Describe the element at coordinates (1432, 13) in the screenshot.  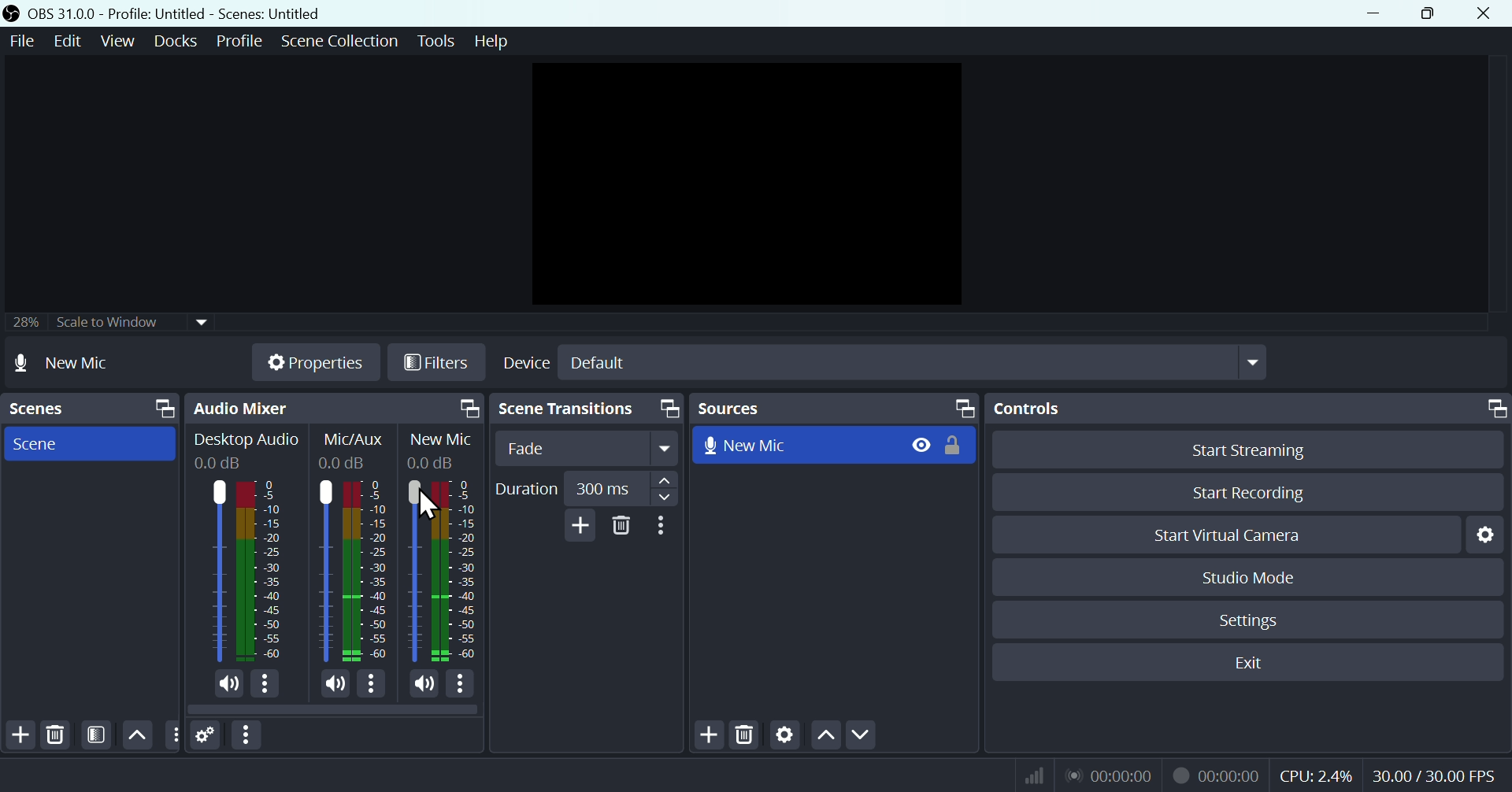
I see `Restore` at that location.